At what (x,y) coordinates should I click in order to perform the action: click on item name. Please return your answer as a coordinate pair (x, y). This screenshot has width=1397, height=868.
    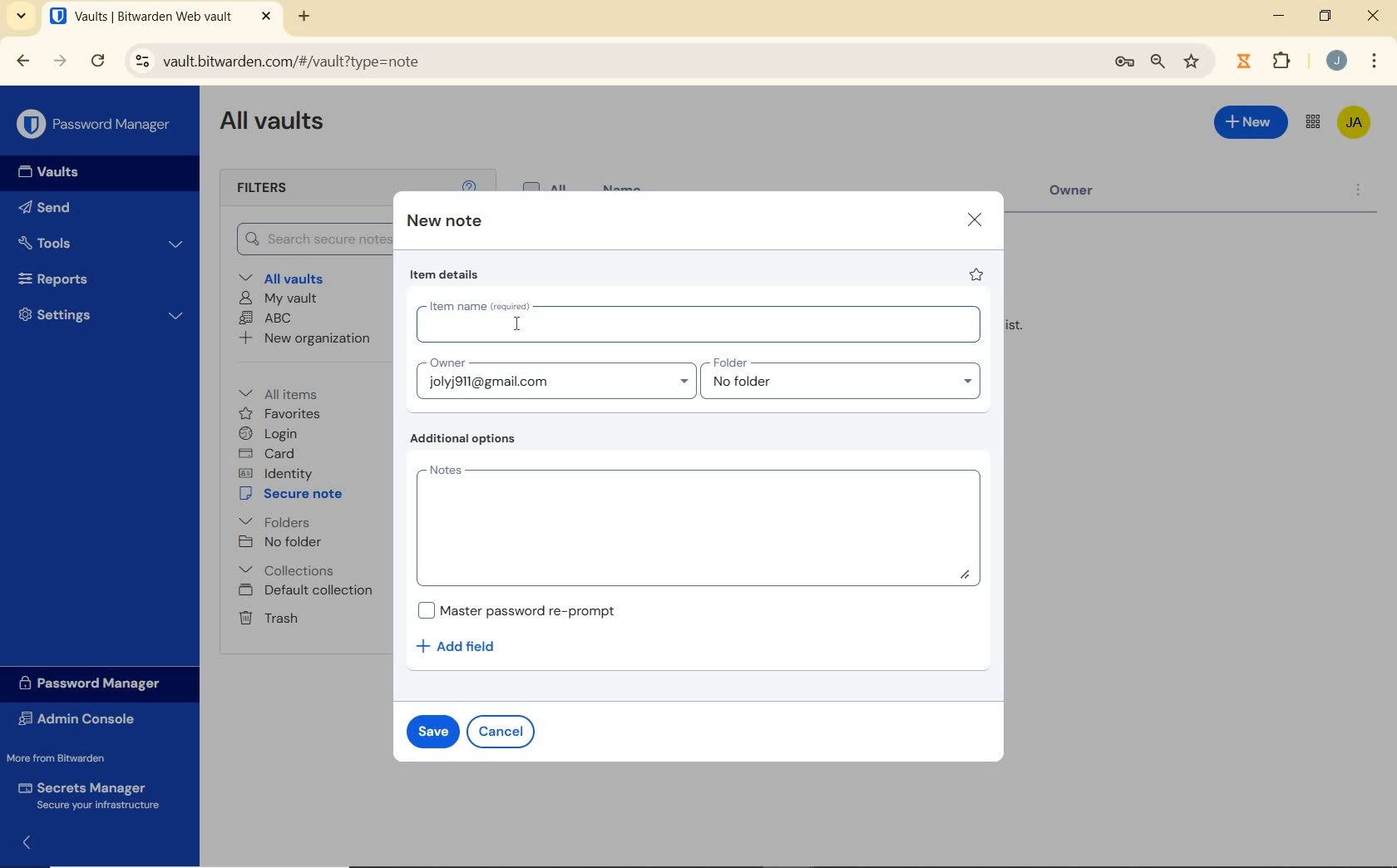
    Looking at the image, I should click on (700, 320).